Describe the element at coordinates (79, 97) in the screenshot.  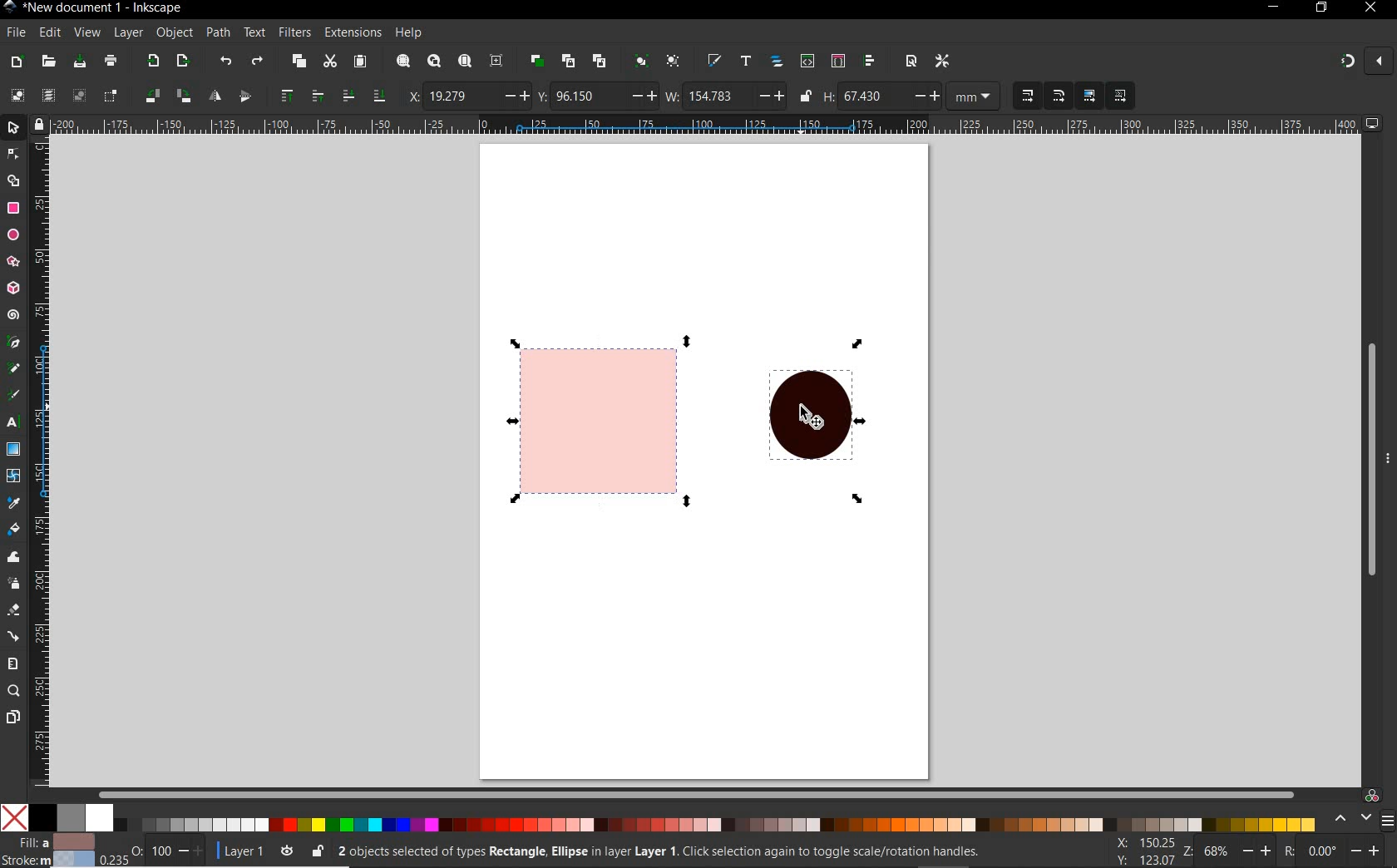
I see `deselect` at that location.